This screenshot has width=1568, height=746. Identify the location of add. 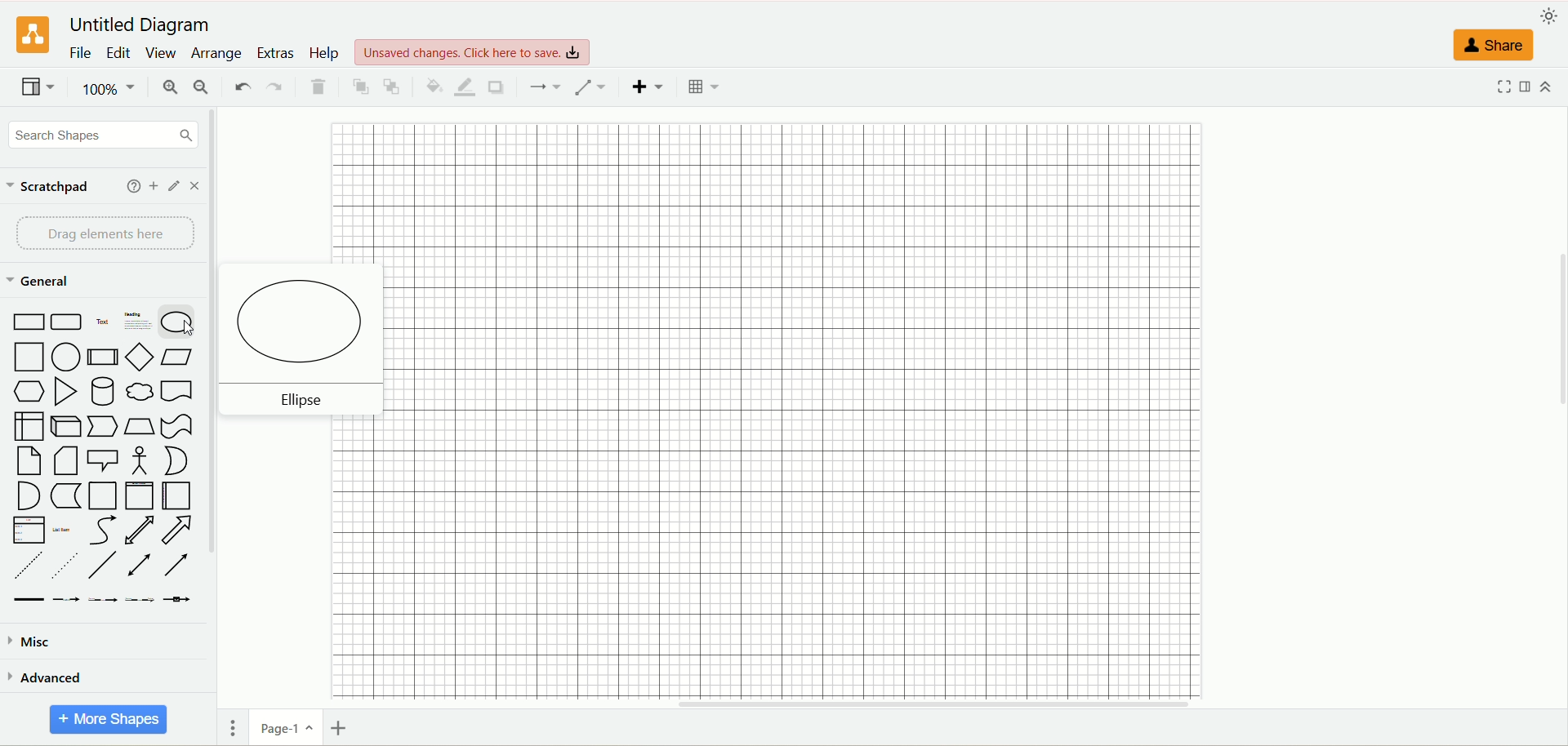
(153, 187).